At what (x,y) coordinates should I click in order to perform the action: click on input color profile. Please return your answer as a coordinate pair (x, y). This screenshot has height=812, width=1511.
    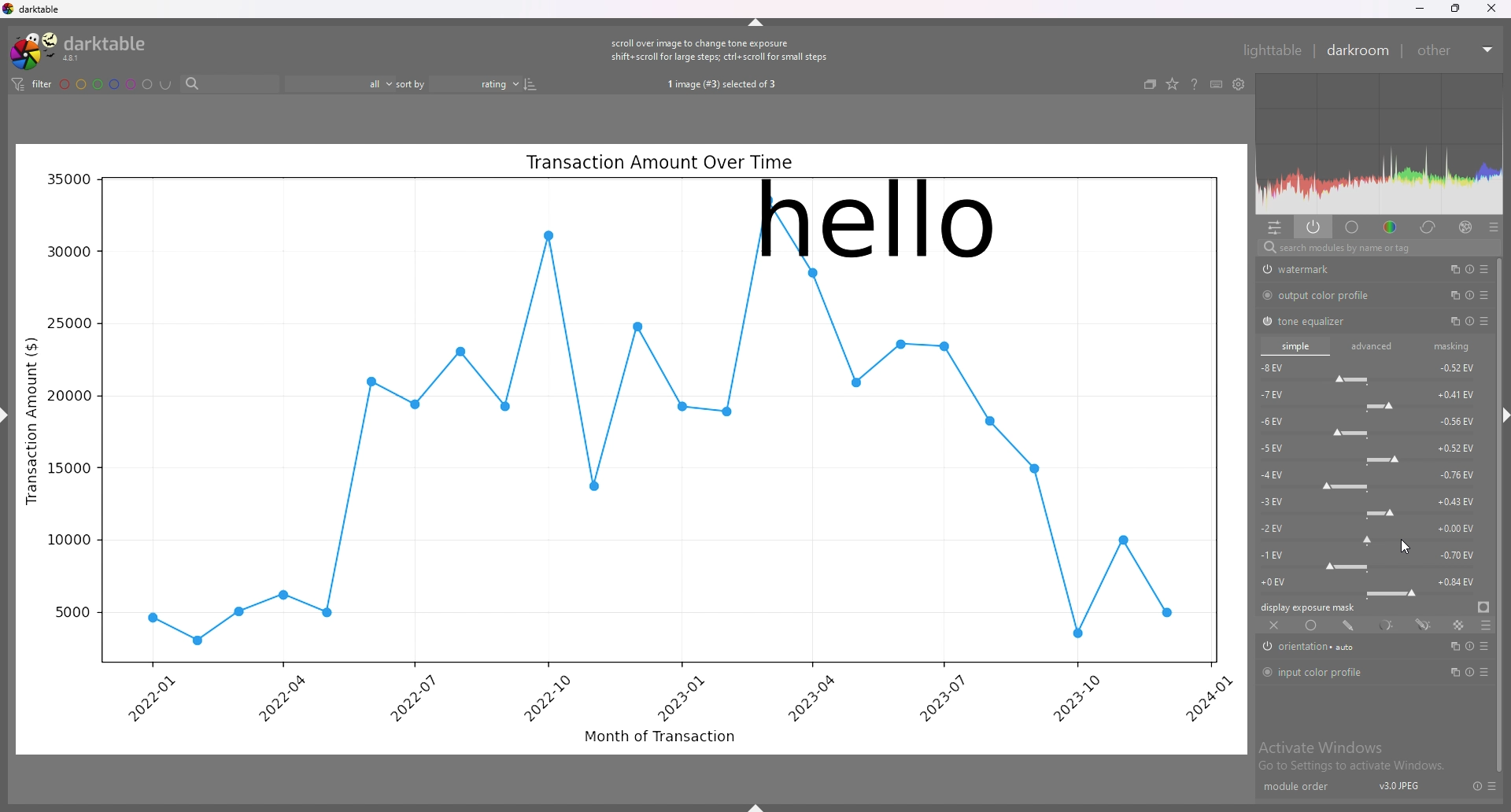
    Looking at the image, I should click on (1325, 672).